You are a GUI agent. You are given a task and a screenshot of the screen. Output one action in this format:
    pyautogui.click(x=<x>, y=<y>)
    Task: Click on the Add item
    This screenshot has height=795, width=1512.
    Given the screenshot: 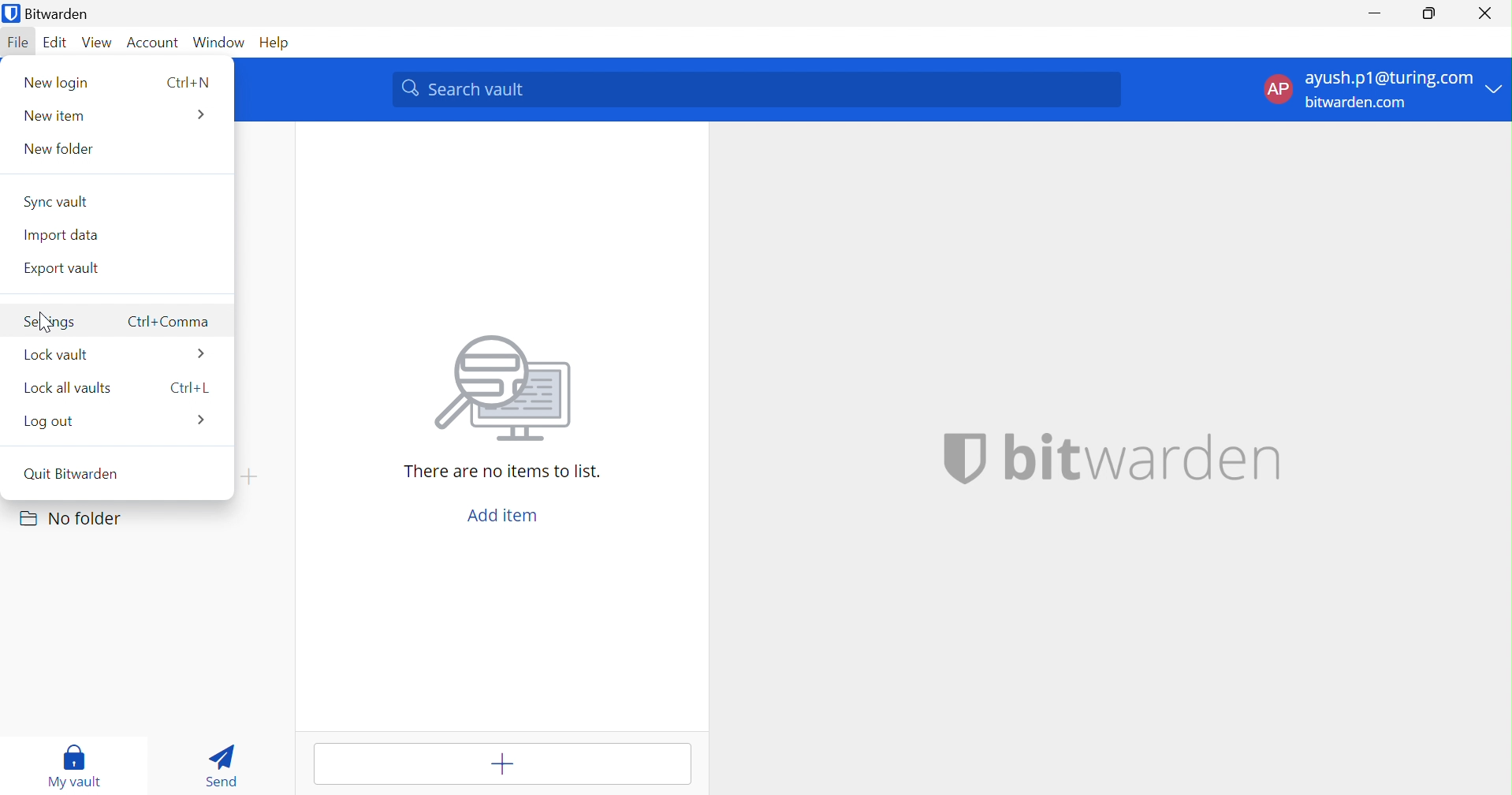 What is the action you would take?
    pyautogui.click(x=502, y=515)
    